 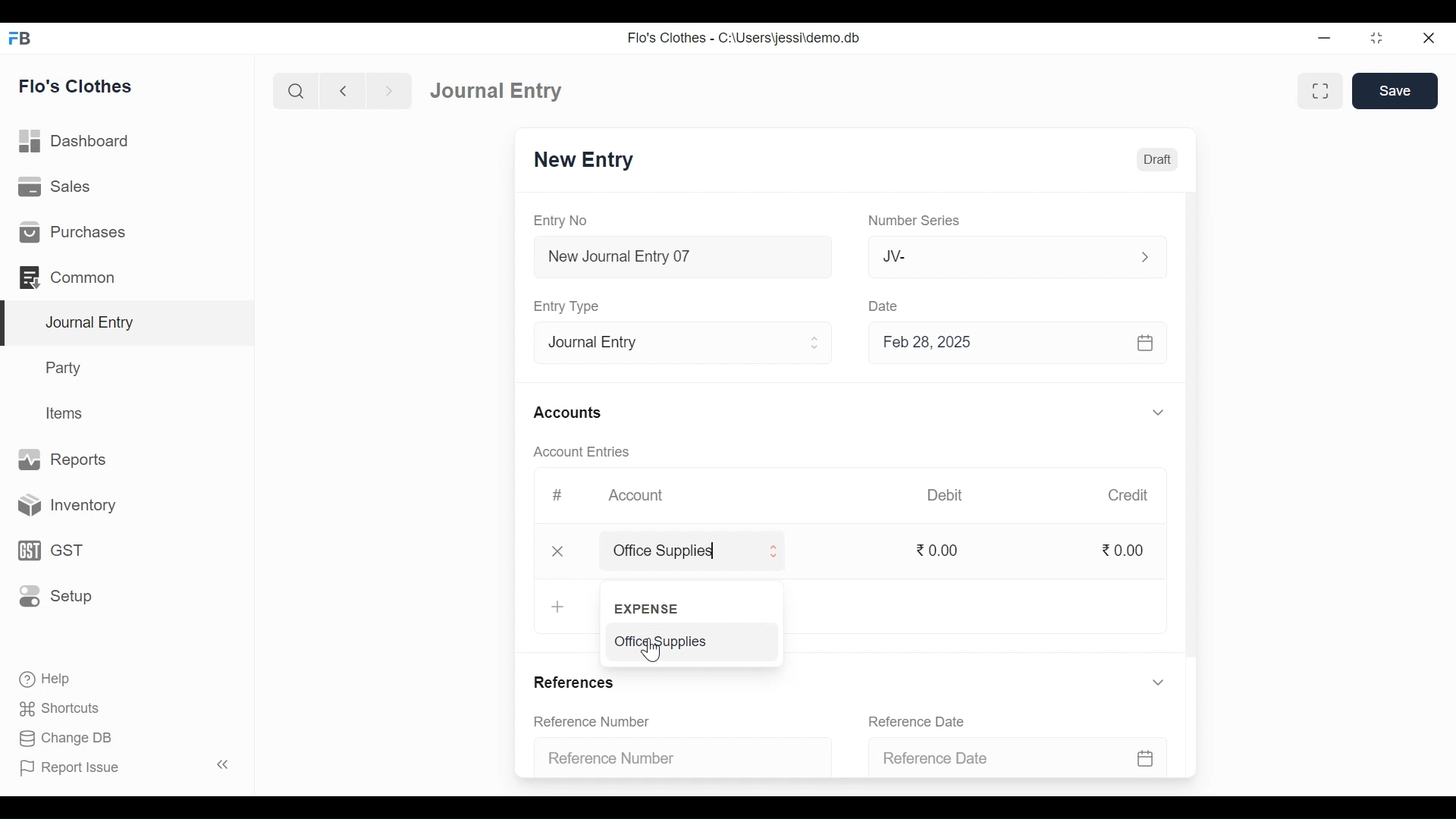 What do you see at coordinates (1011, 345) in the screenshot?
I see `Feb 28, 2025` at bounding box center [1011, 345].